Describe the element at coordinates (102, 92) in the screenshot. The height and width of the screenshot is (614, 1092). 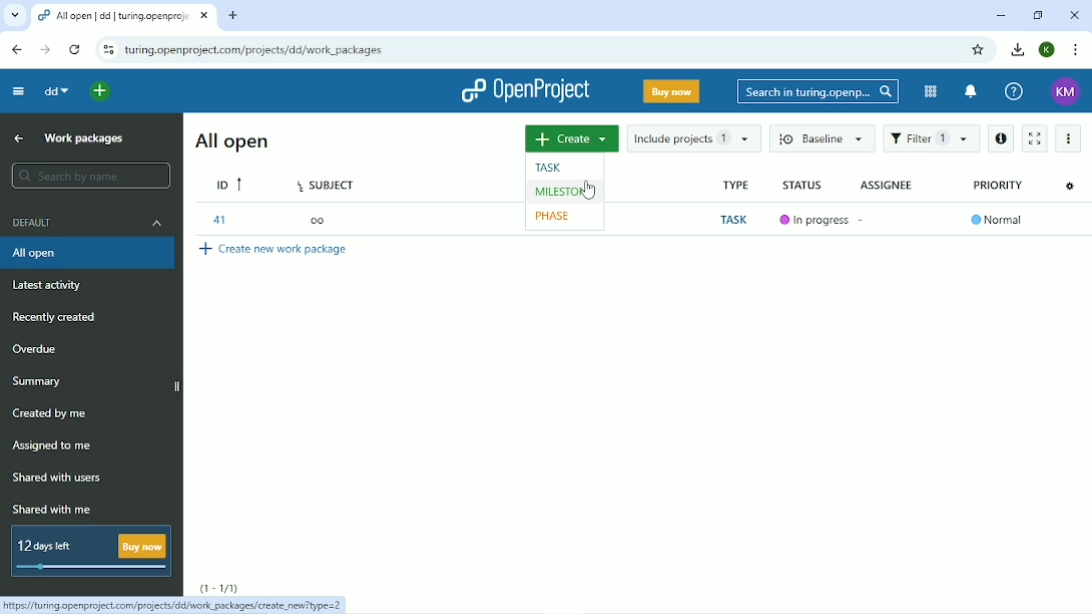
I see `Open quick add menu` at that location.